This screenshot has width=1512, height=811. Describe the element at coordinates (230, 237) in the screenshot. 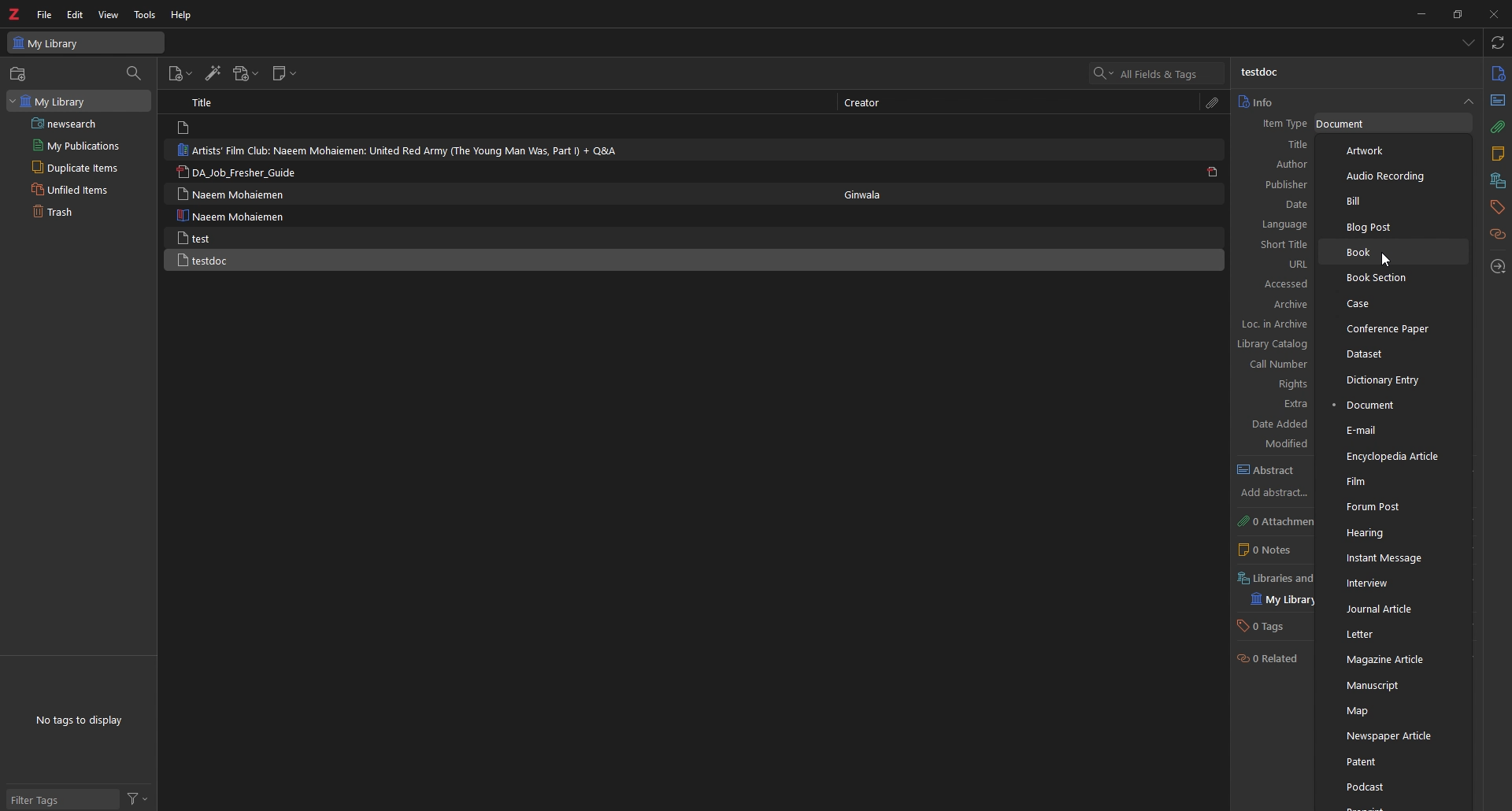

I see `test` at that location.